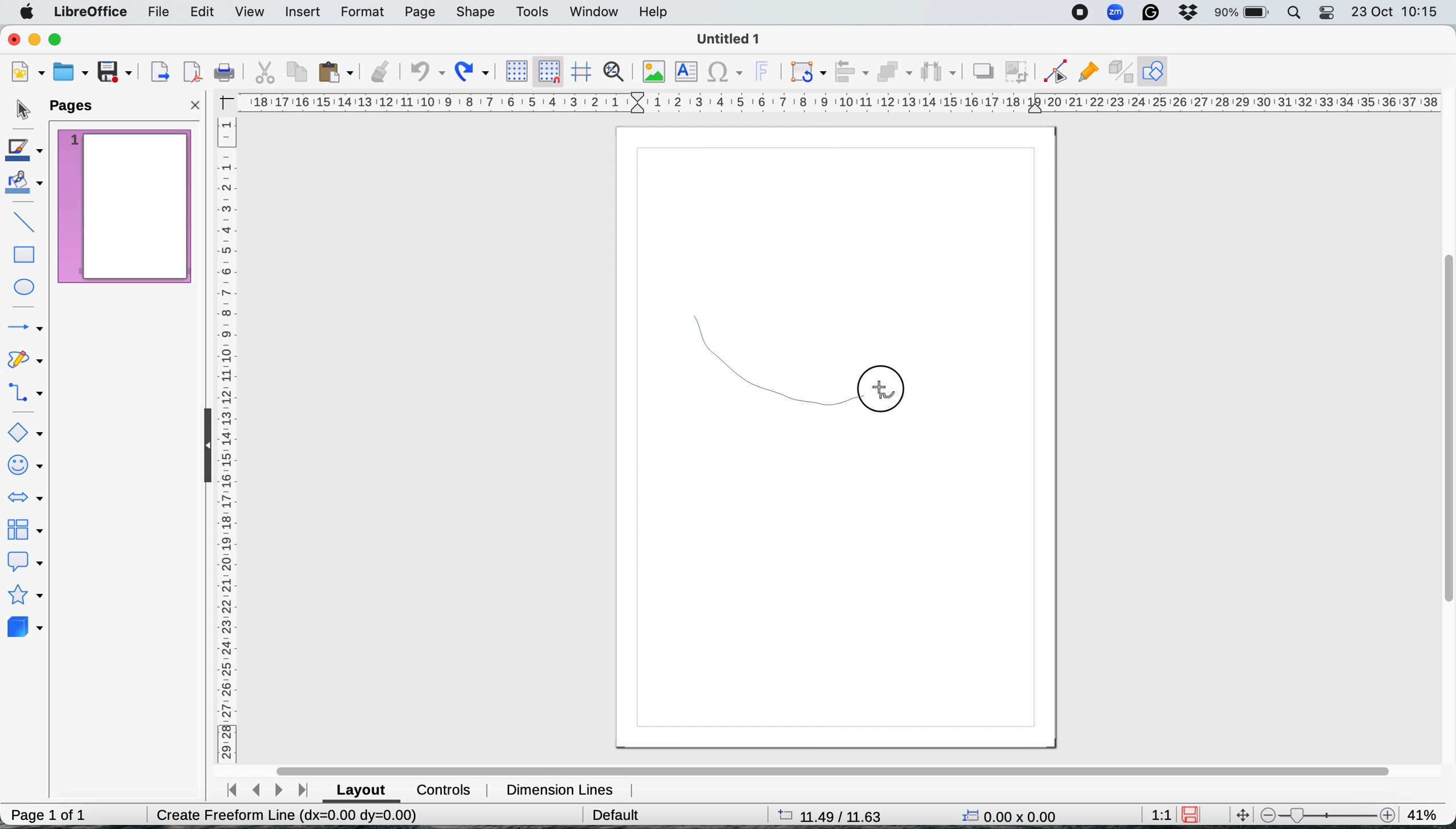 The image size is (1456, 829). I want to click on export, so click(159, 71).